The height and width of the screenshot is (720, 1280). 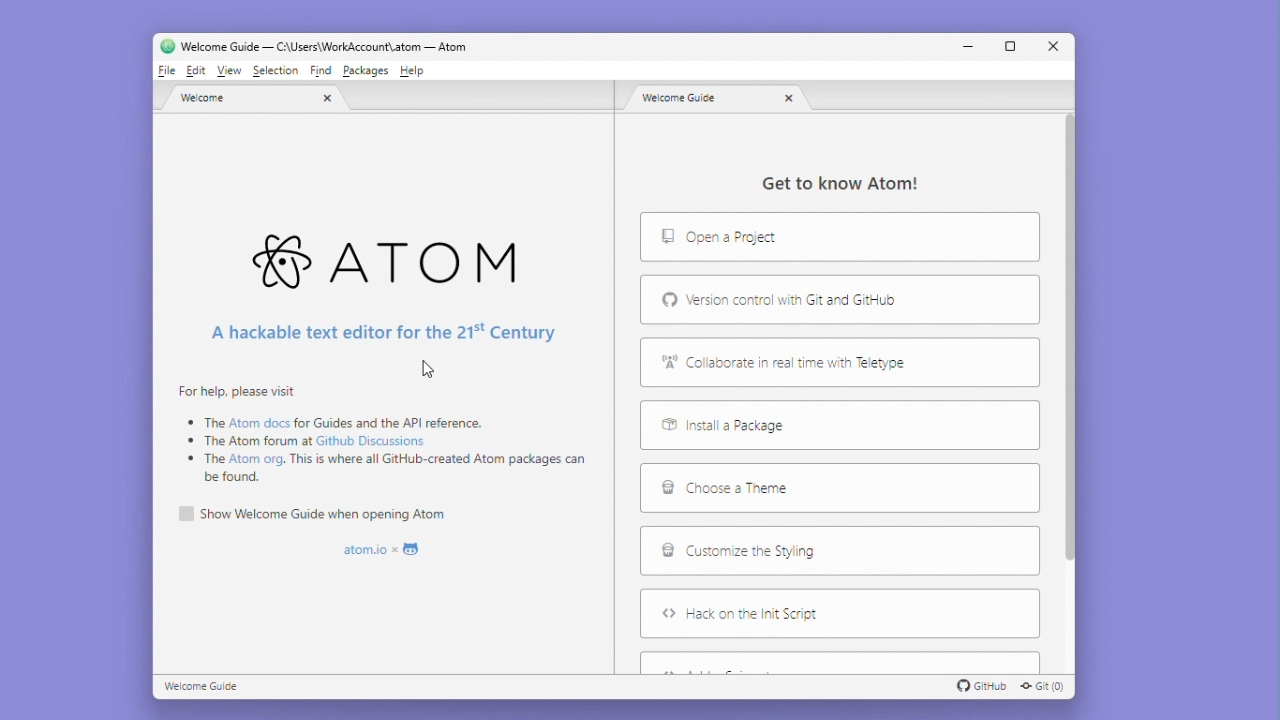 What do you see at coordinates (208, 687) in the screenshot?
I see `Welcome guide` at bounding box center [208, 687].